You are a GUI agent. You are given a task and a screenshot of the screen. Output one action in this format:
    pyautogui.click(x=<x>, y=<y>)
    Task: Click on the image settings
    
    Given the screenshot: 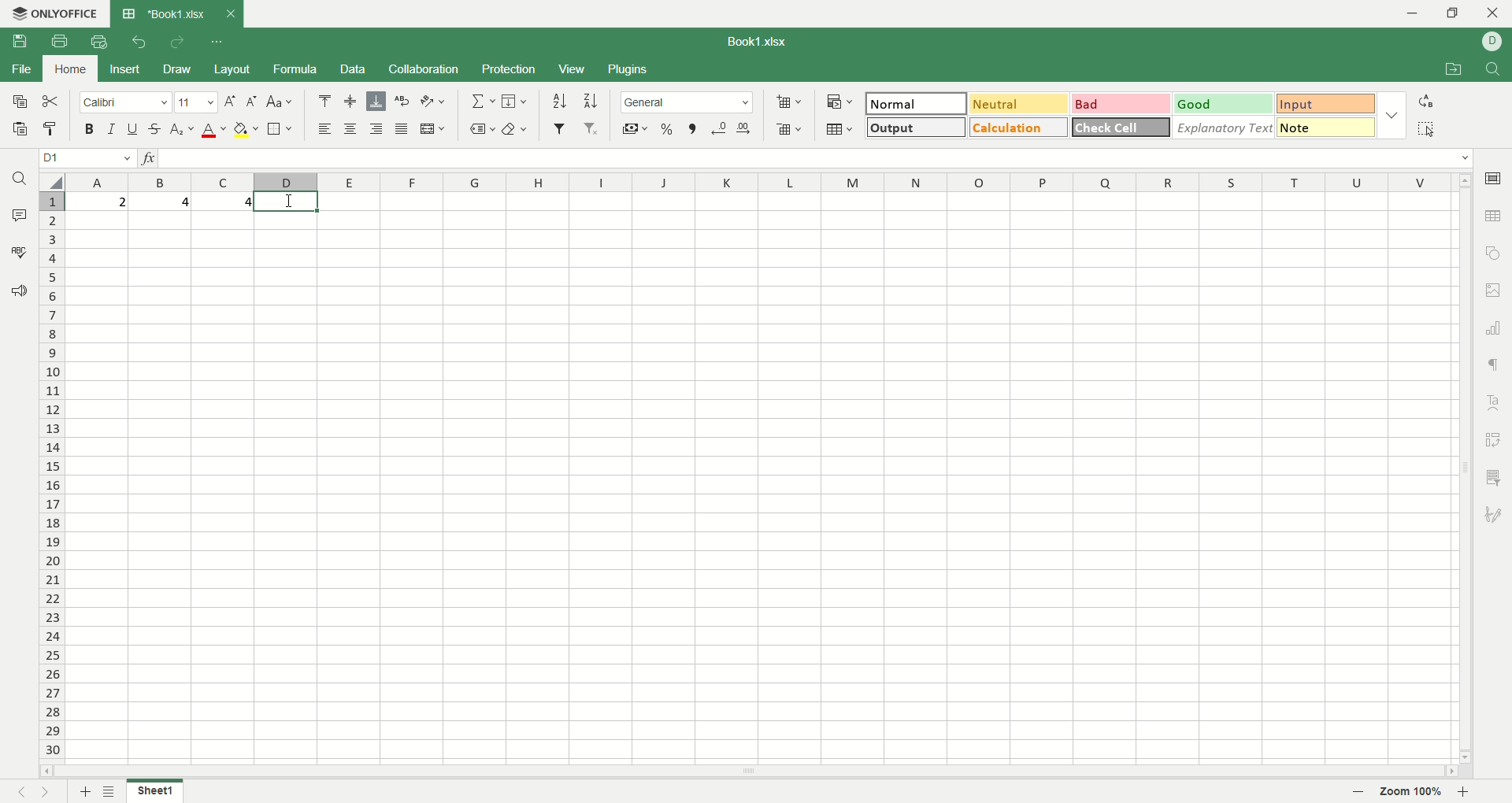 What is the action you would take?
    pyautogui.click(x=1496, y=291)
    